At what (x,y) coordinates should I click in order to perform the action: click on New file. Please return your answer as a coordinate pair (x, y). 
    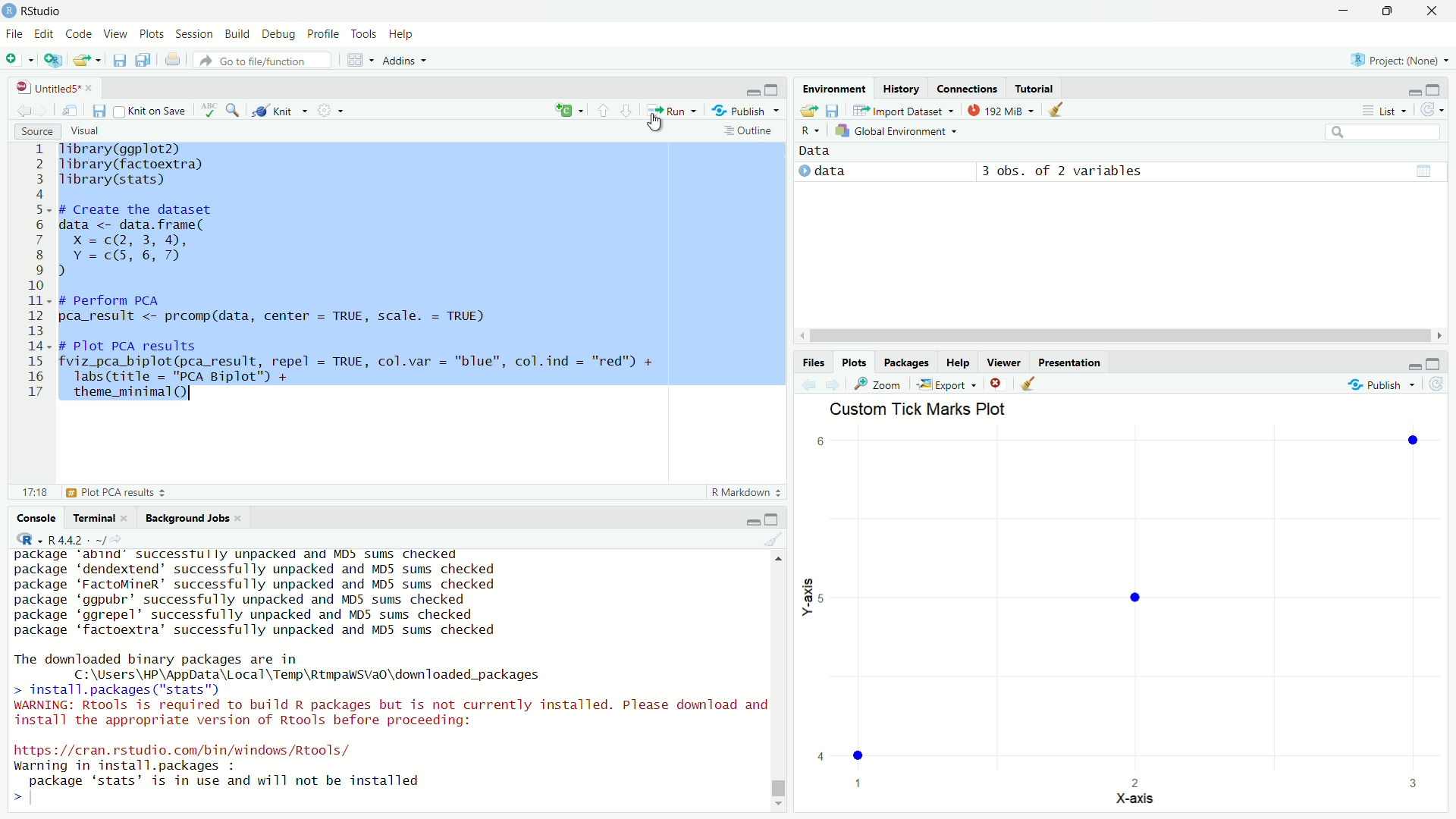
    Looking at the image, I should click on (18, 58).